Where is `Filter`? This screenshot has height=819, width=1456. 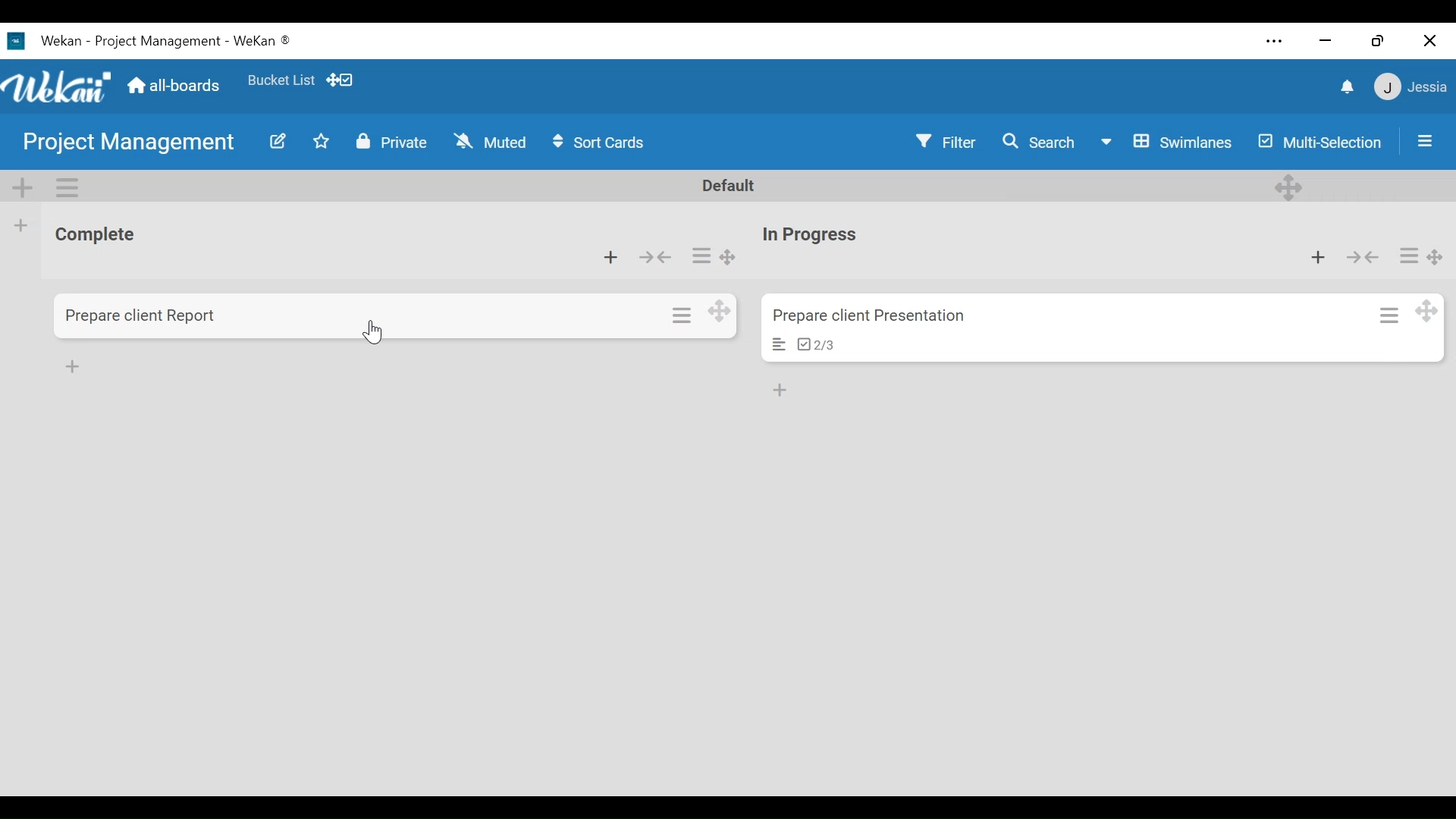
Filter is located at coordinates (943, 141).